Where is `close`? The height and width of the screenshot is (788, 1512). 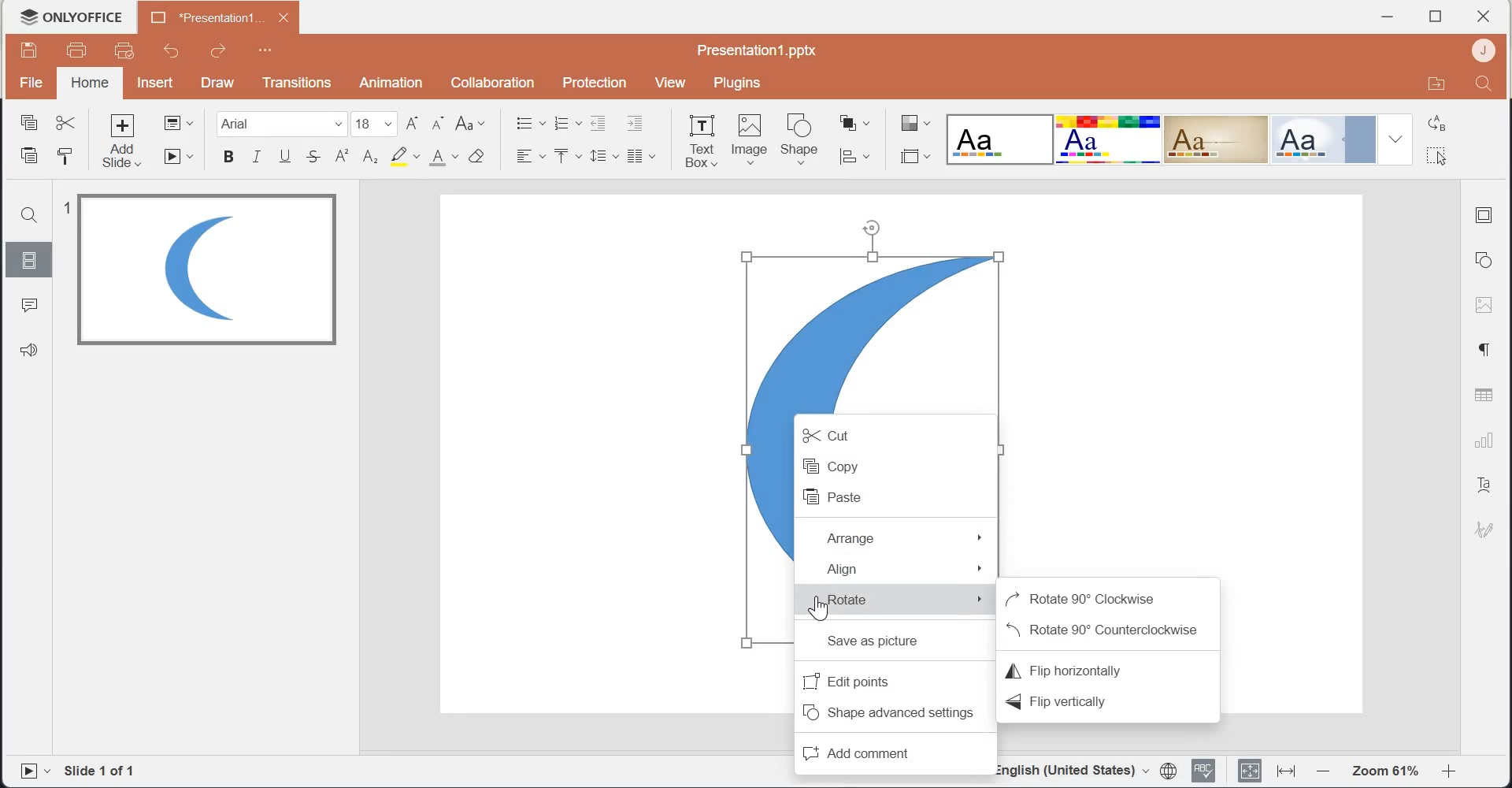 close is located at coordinates (1483, 16).